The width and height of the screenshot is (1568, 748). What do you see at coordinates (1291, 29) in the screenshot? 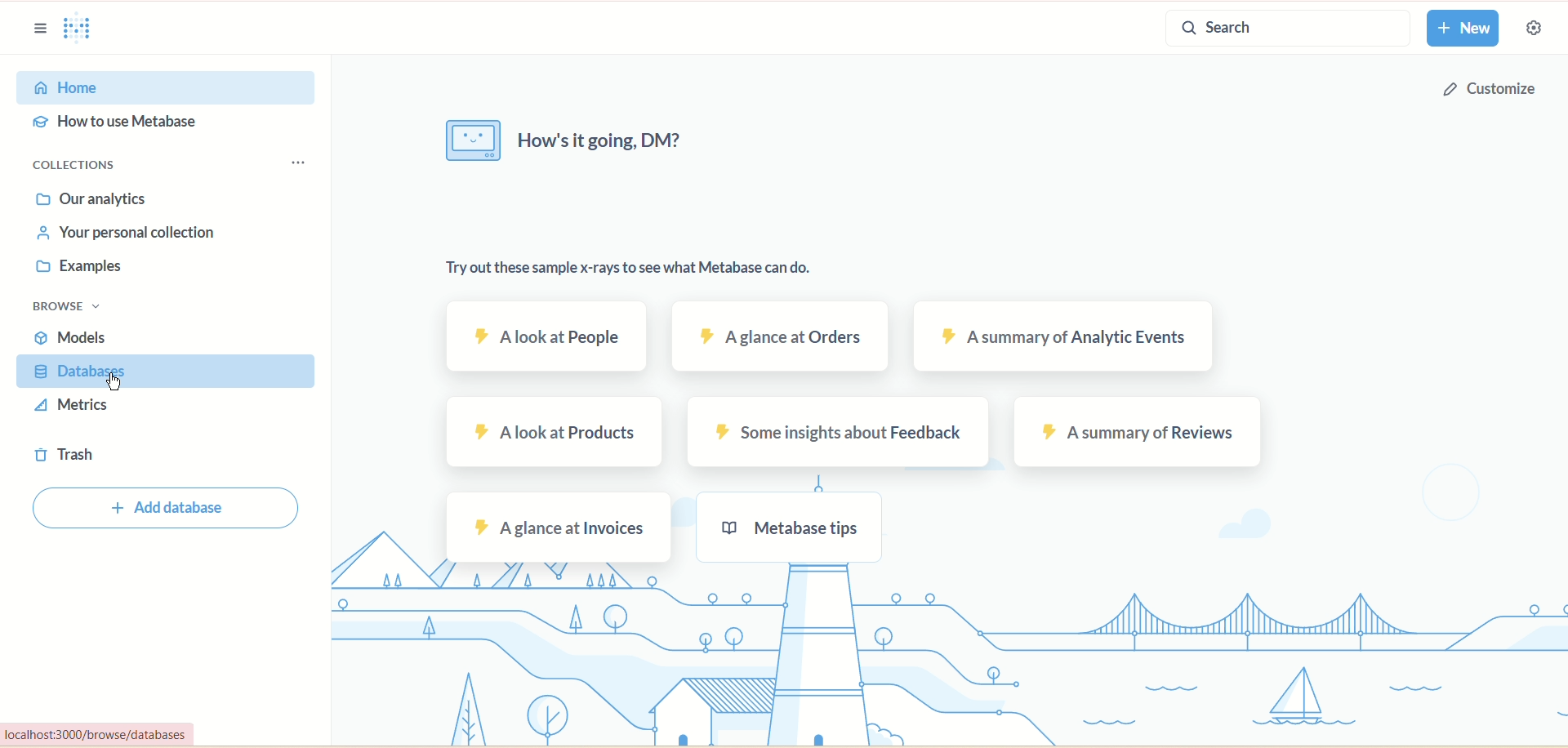
I see `search` at bounding box center [1291, 29].